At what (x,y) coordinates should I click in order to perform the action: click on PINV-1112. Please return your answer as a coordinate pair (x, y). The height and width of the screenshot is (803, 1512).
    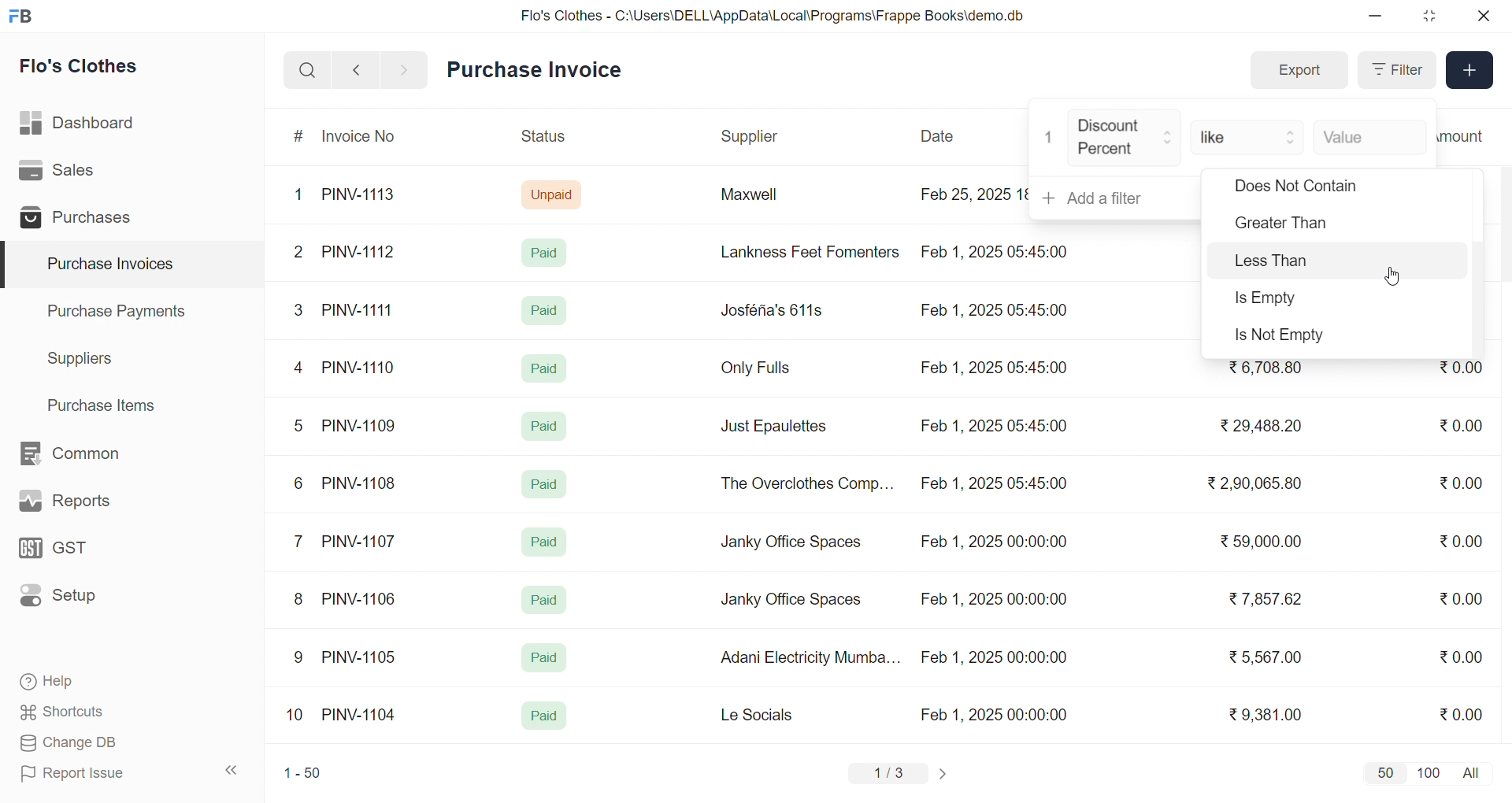
    Looking at the image, I should click on (358, 253).